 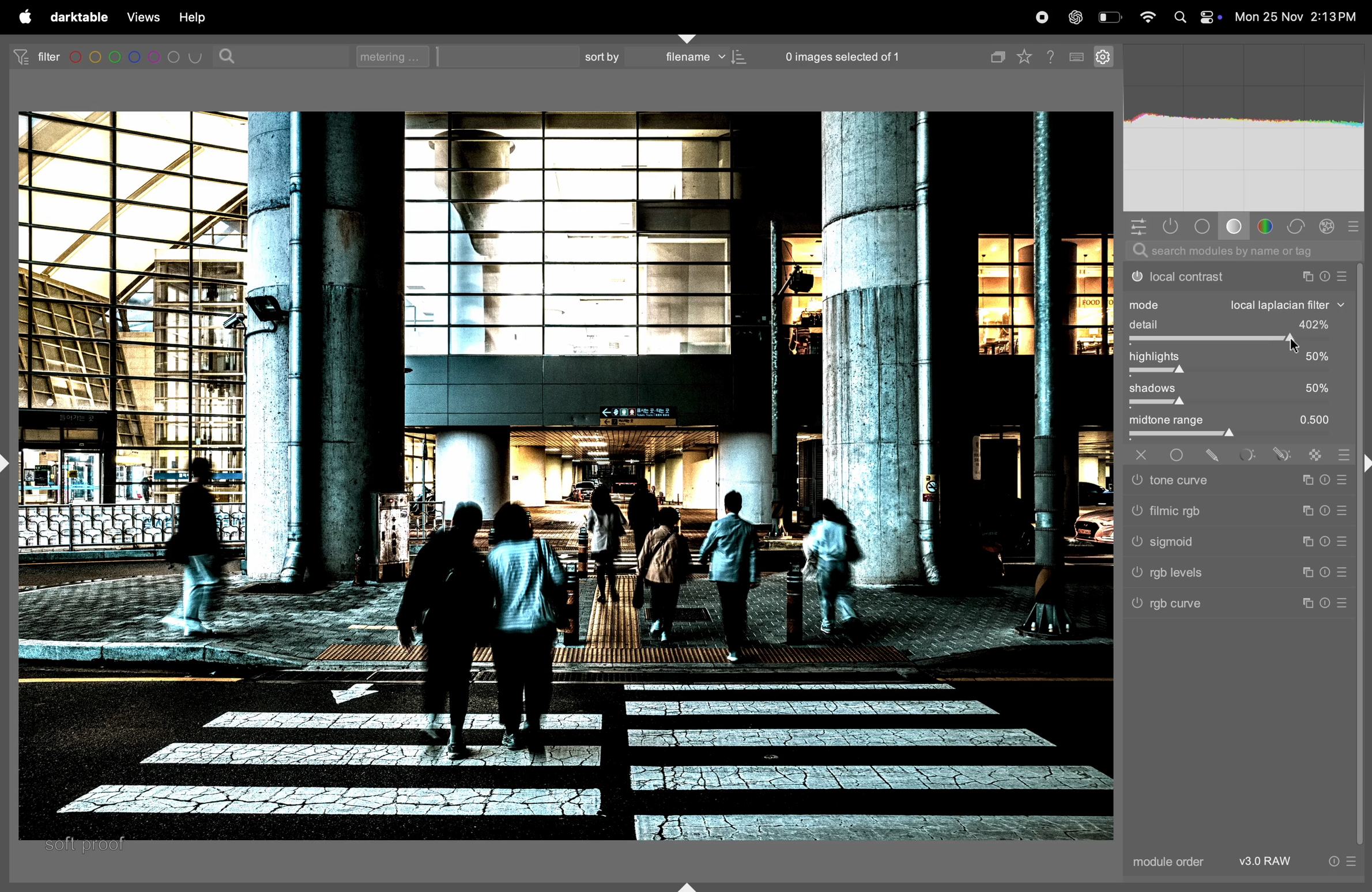 What do you see at coordinates (1249, 455) in the screenshot?
I see `parametric mask` at bounding box center [1249, 455].